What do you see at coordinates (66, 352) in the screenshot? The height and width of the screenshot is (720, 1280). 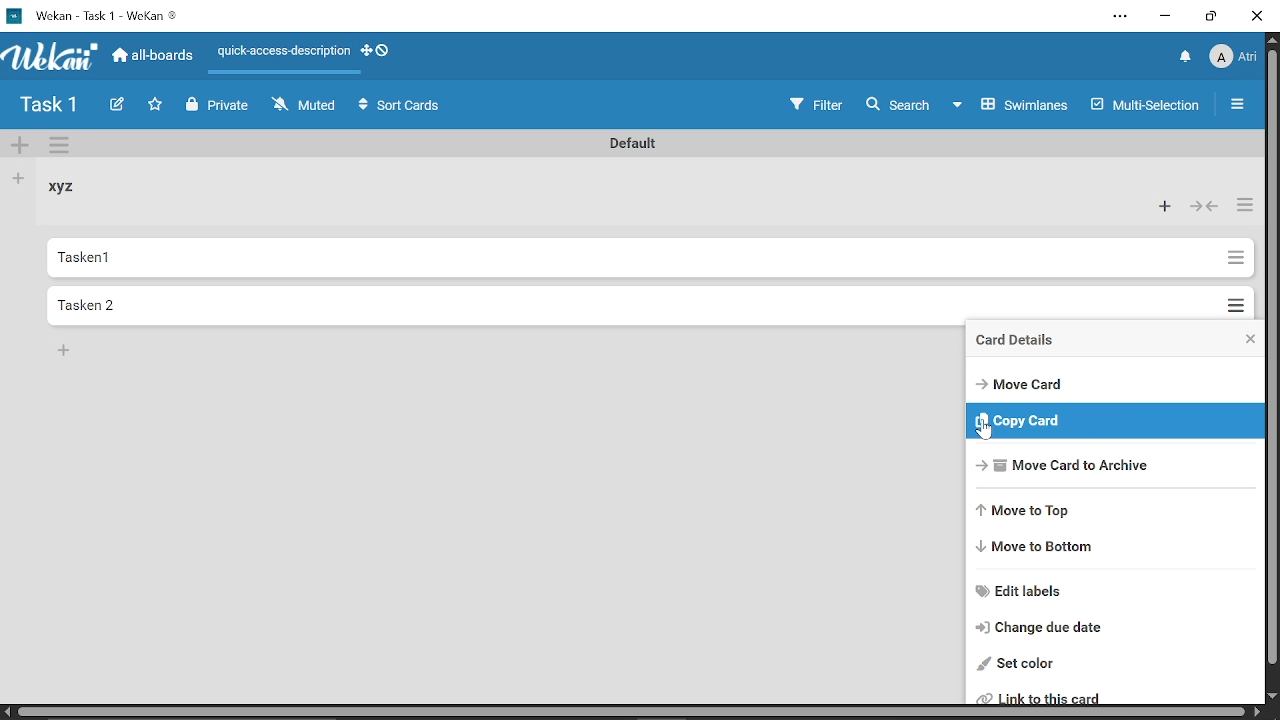 I see `Add card to the bottom of the list` at bounding box center [66, 352].